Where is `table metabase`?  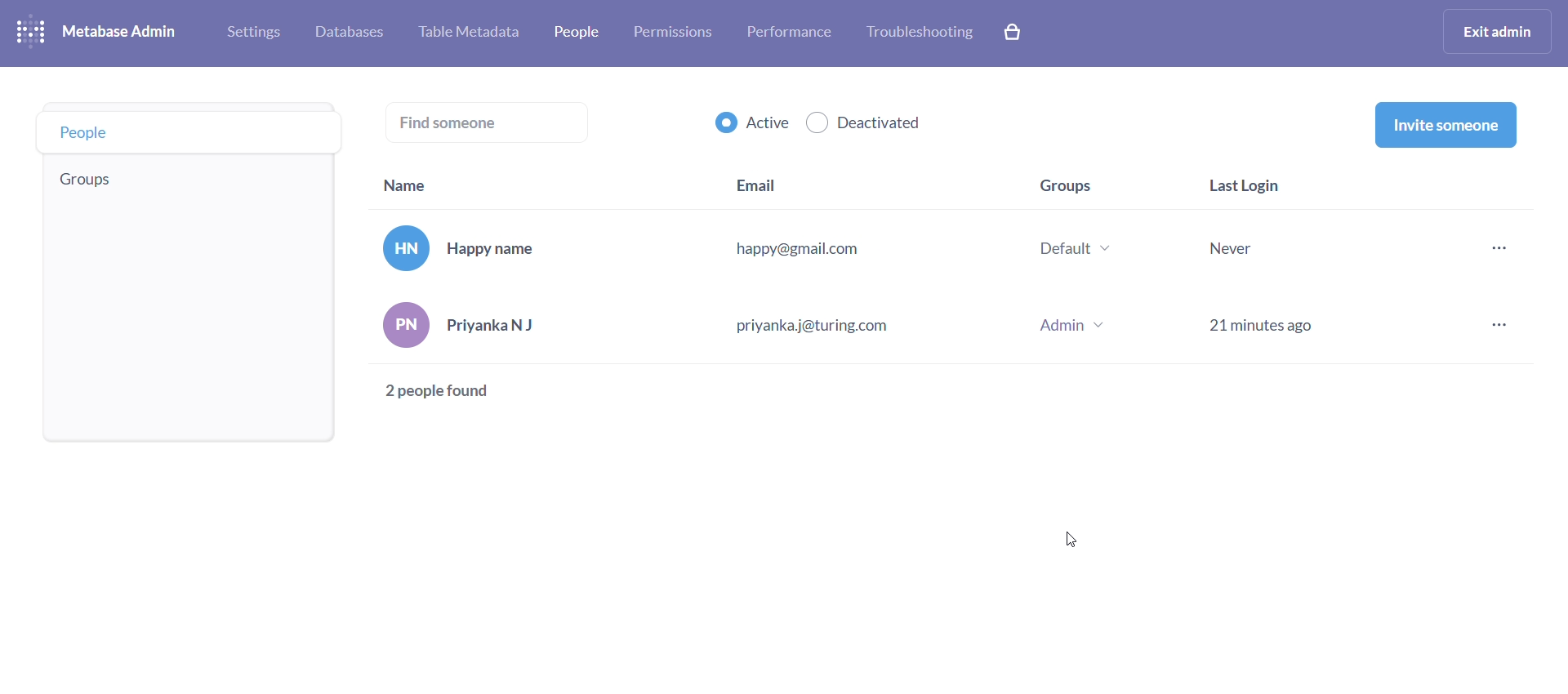 table metabase is located at coordinates (468, 33).